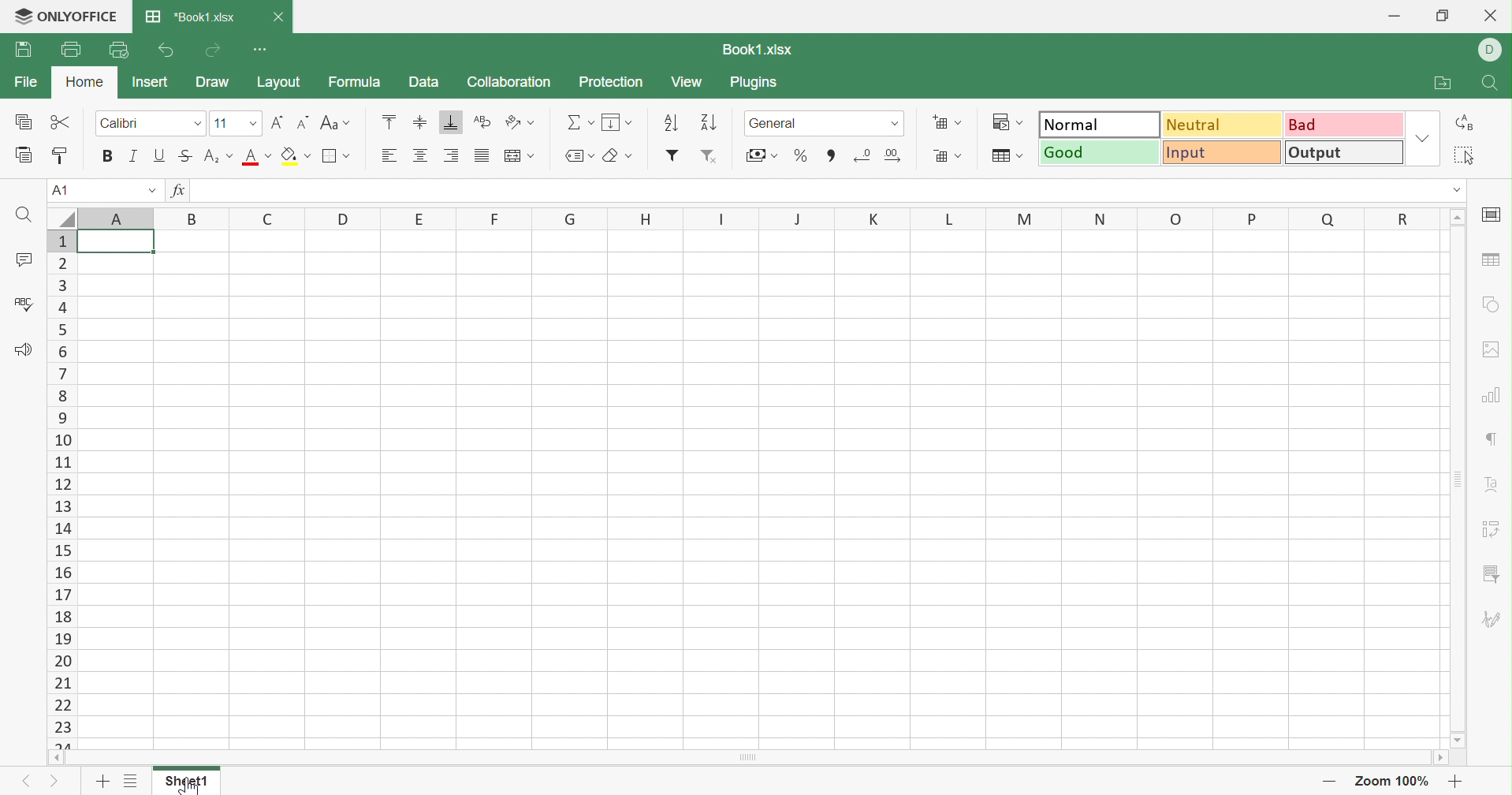 Image resolution: width=1512 pixels, height=795 pixels. Describe the element at coordinates (1344, 124) in the screenshot. I see `Bad` at that location.